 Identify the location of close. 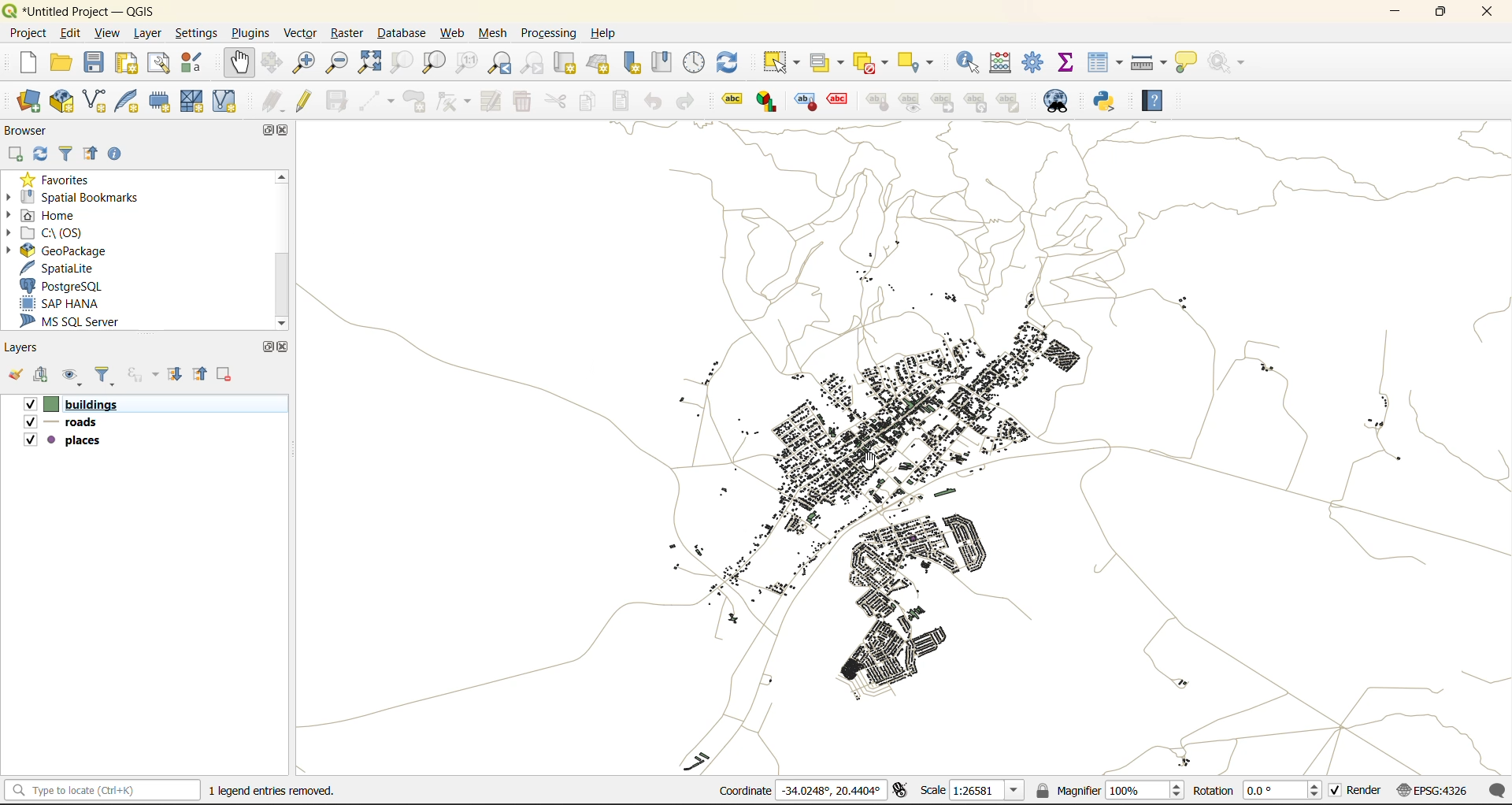
(286, 133).